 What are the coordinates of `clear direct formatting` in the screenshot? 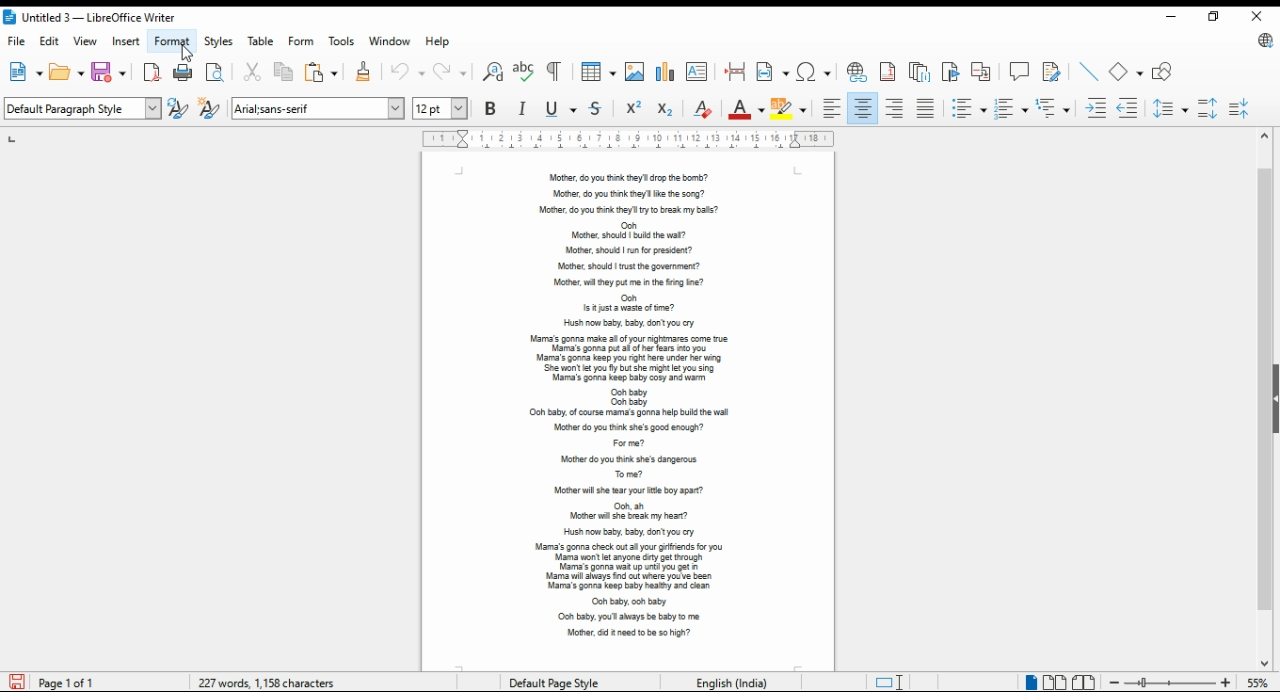 It's located at (703, 108).